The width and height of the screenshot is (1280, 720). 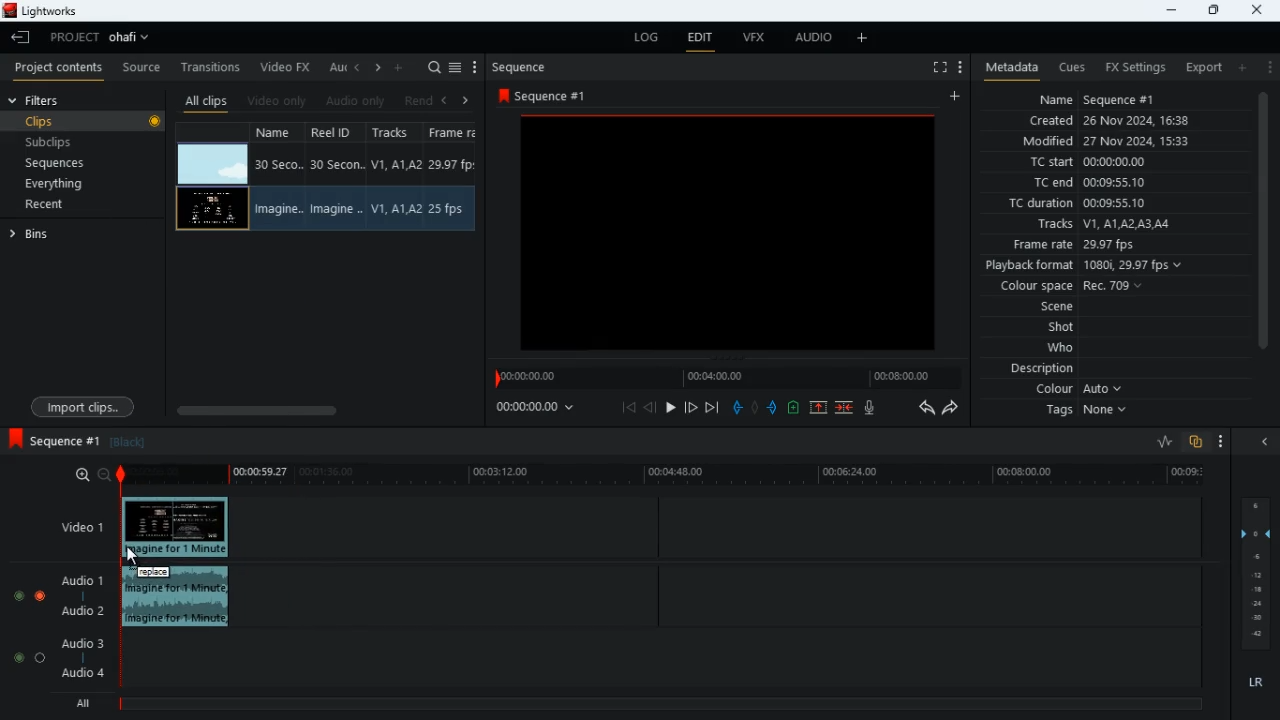 What do you see at coordinates (960, 65) in the screenshot?
I see `menu` at bounding box center [960, 65].